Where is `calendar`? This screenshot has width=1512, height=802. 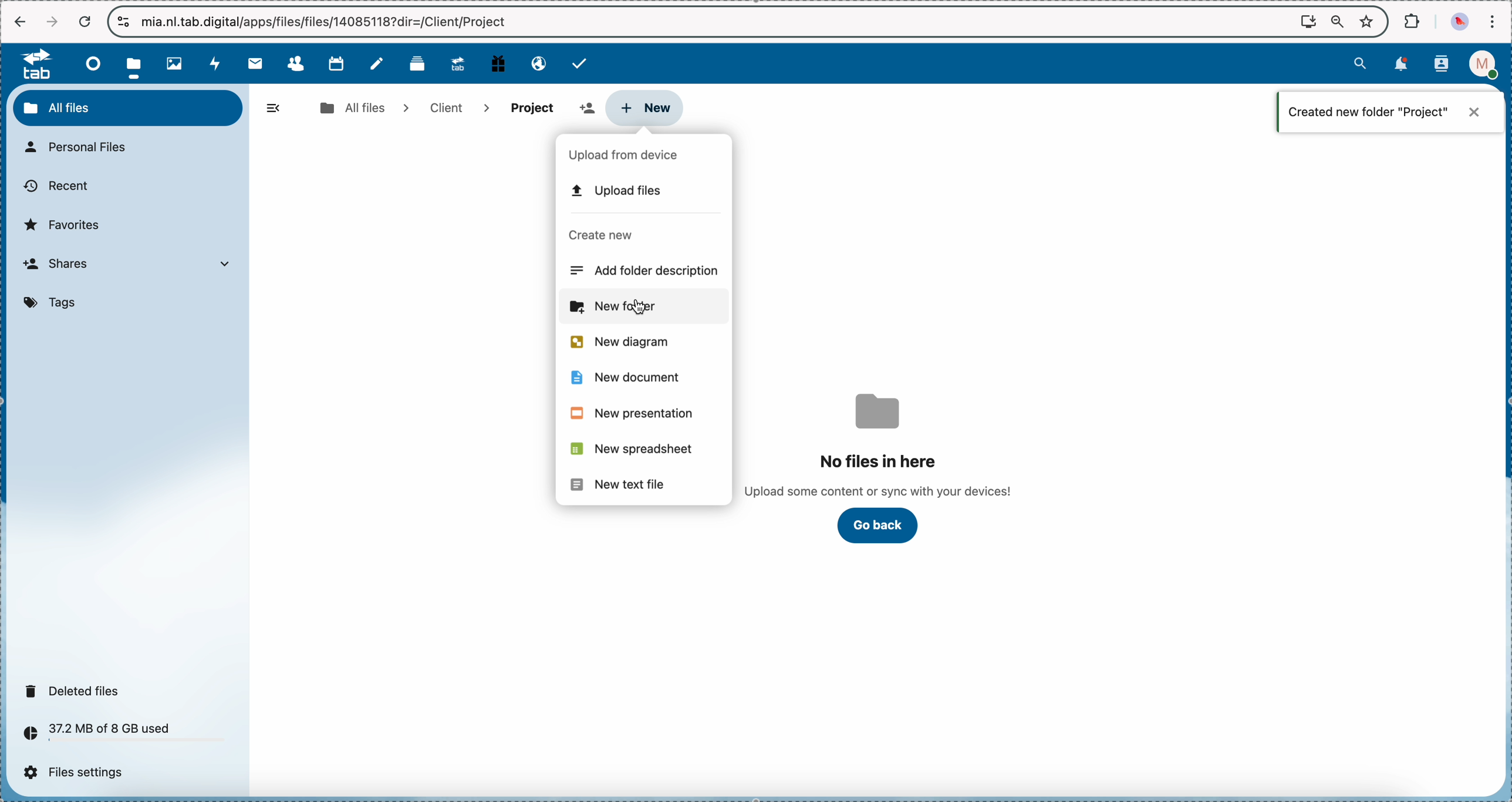
calendar is located at coordinates (336, 62).